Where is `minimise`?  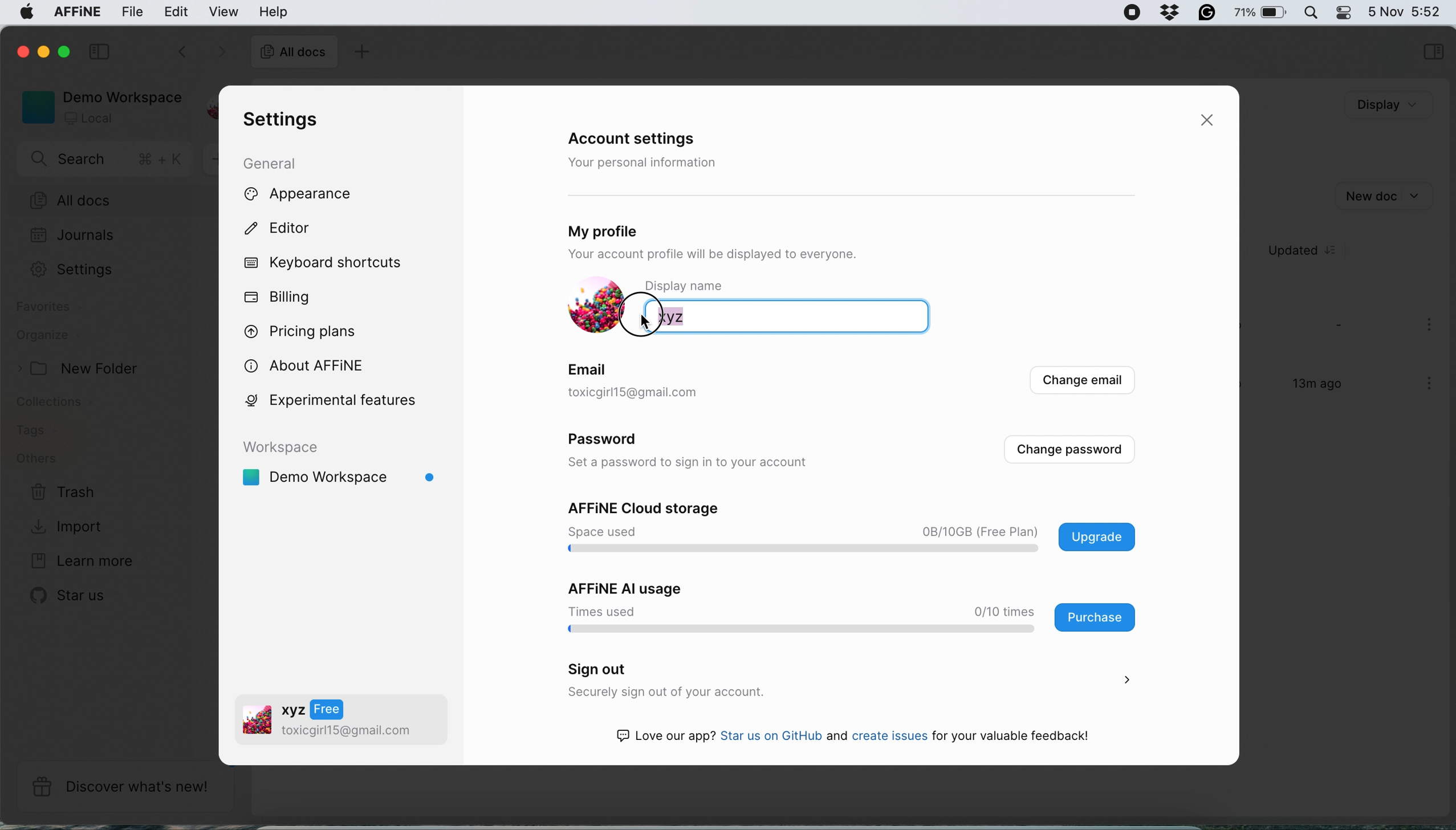
minimise is located at coordinates (46, 54).